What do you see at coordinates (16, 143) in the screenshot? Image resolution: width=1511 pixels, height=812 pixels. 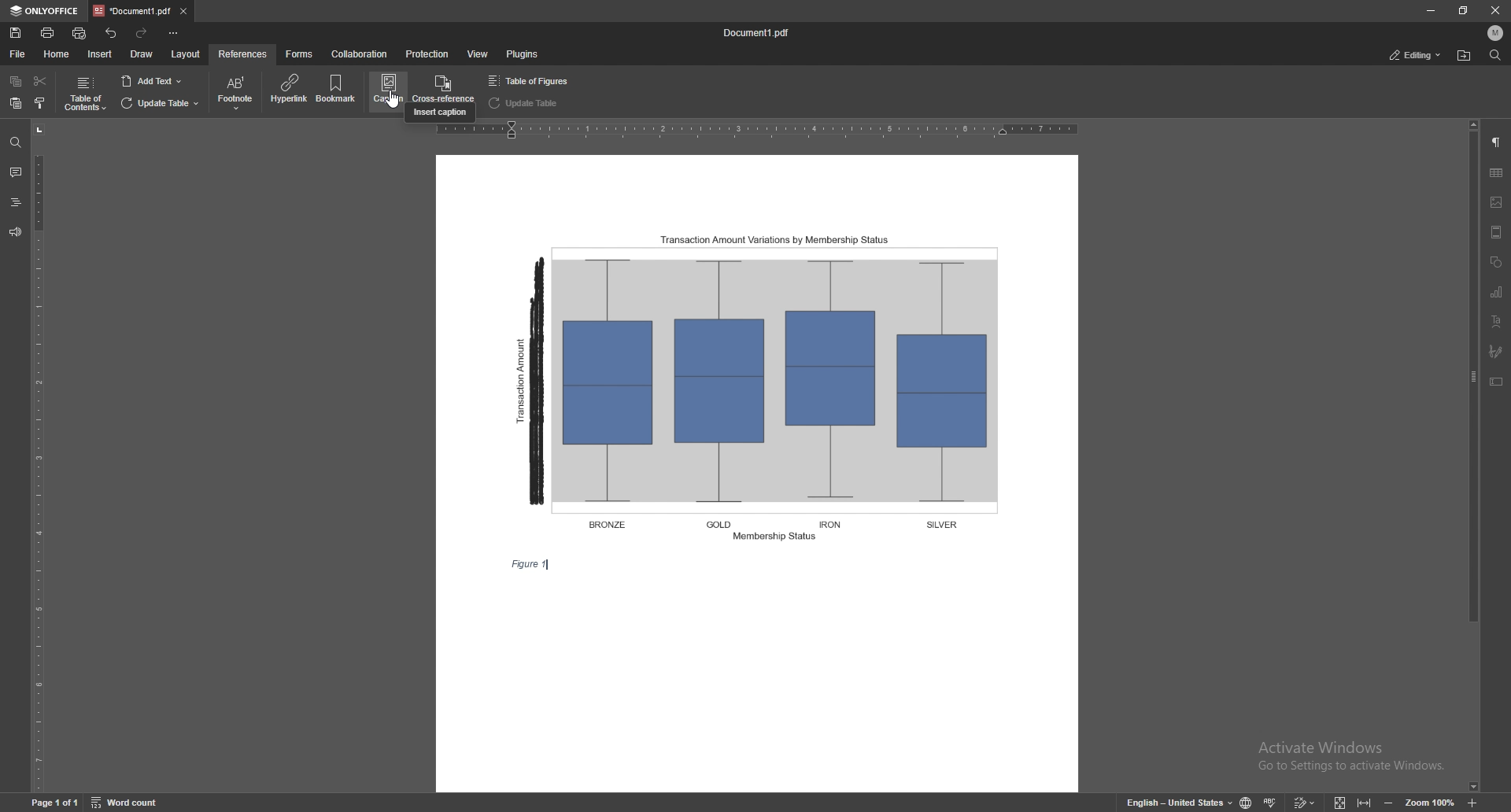 I see `find` at bounding box center [16, 143].